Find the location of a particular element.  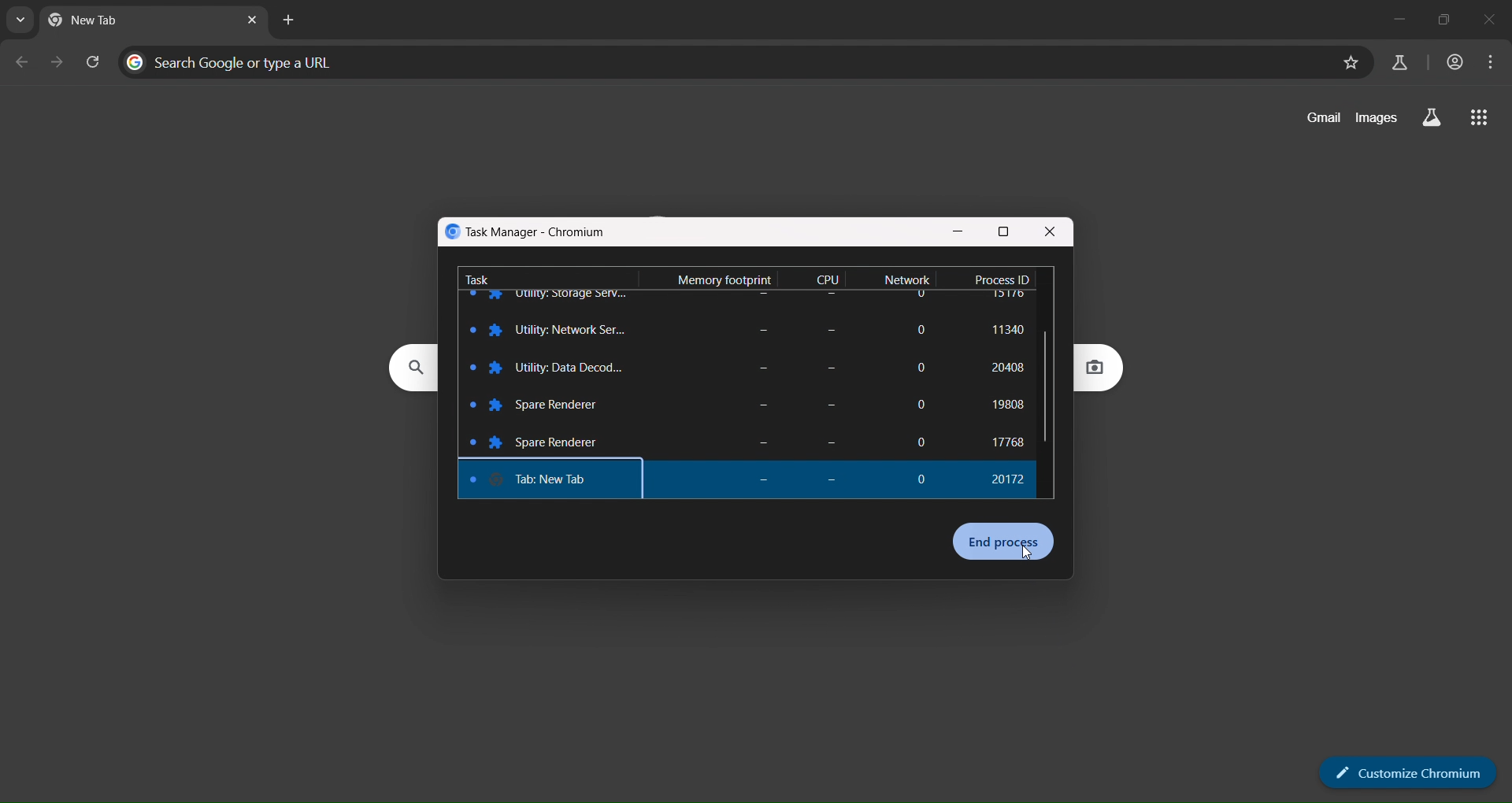

go forward one page is located at coordinates (57, 63).